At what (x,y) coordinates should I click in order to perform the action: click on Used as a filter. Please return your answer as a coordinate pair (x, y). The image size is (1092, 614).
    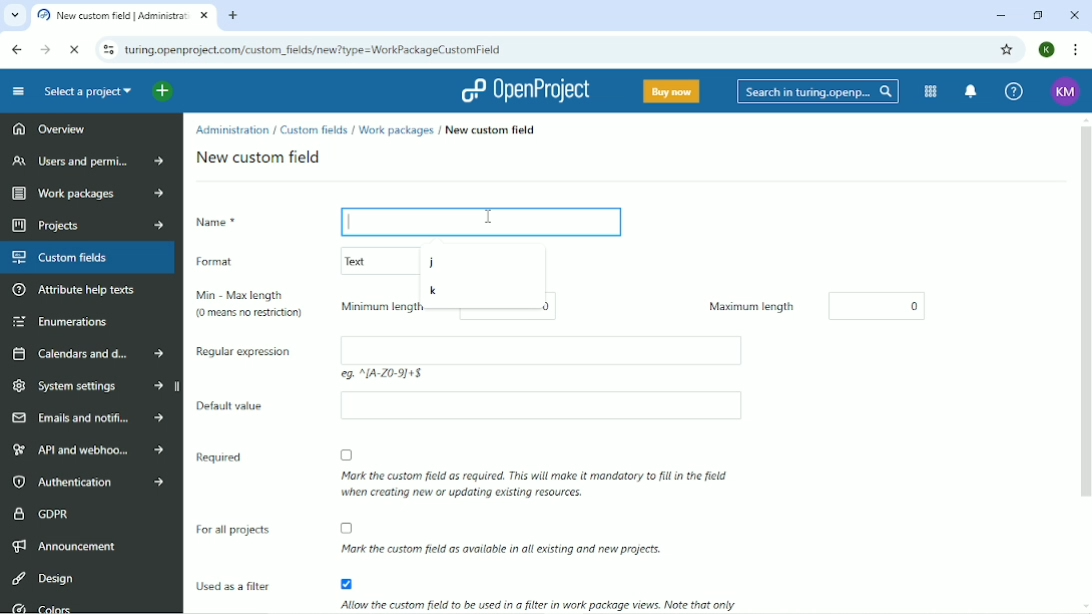
    Looking at the image, I should click on (236, 593).